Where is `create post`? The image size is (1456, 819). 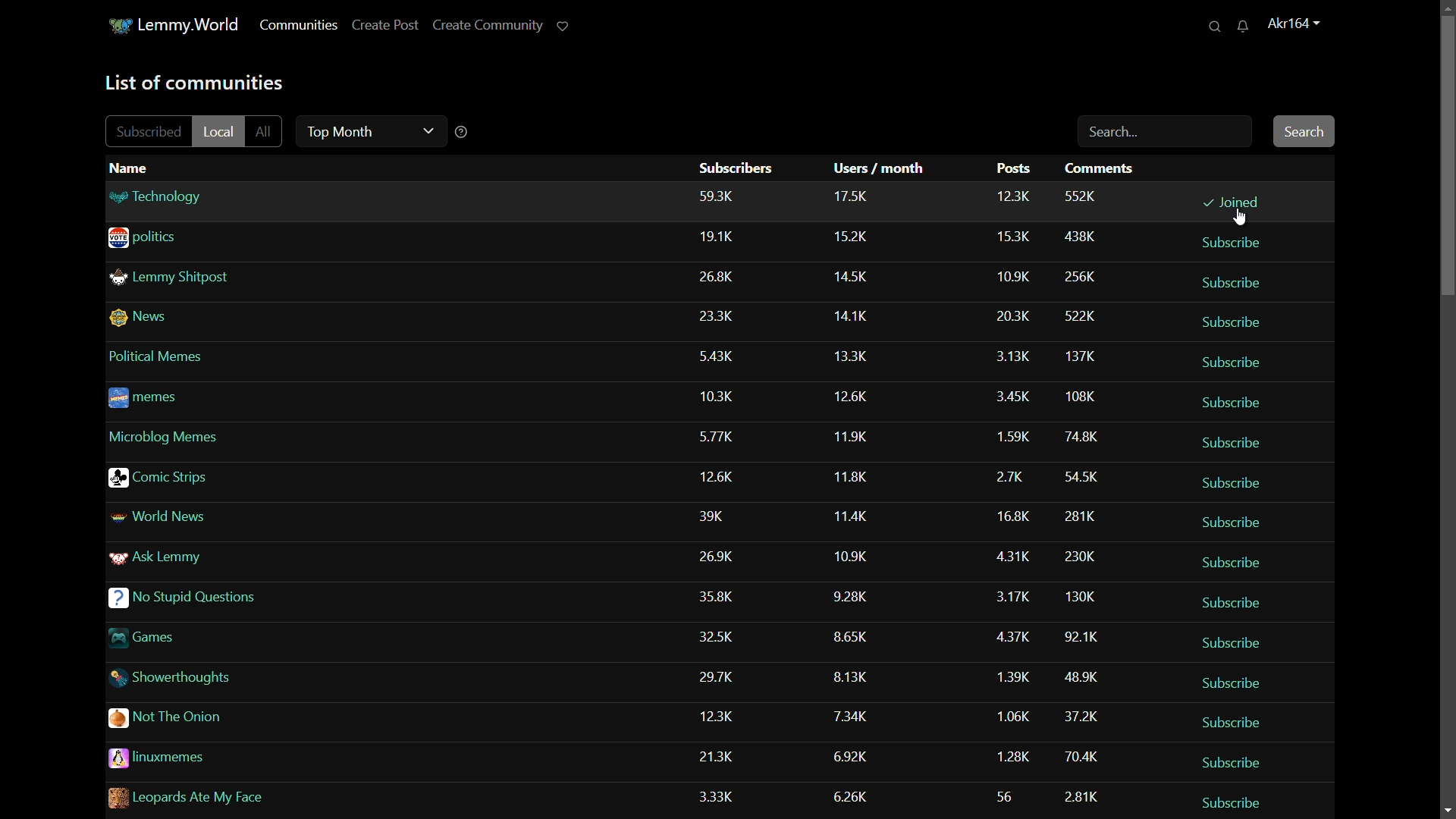 create post is located at coordinates (384, 24).